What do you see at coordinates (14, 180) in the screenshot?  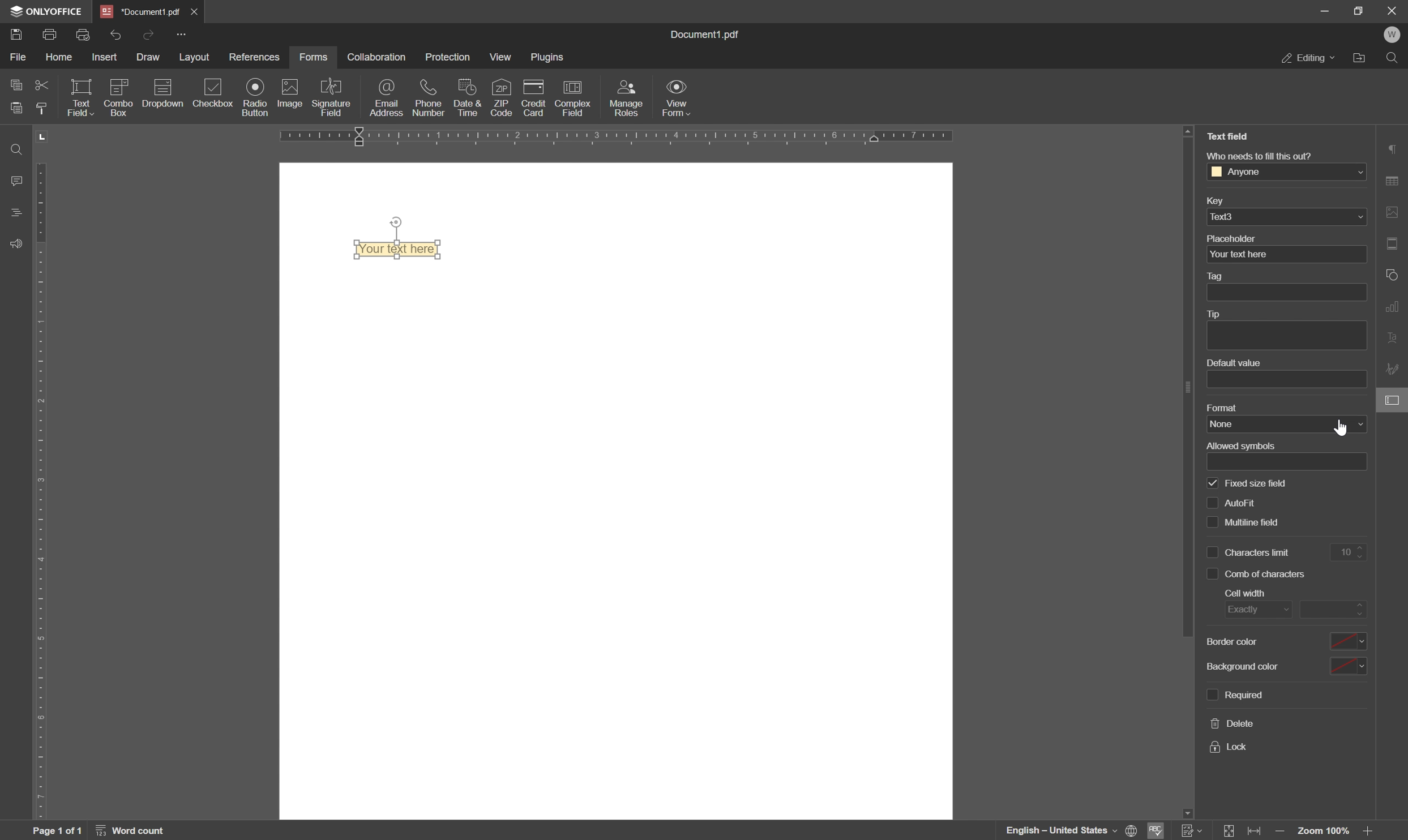 I see `comments` at bounding box center [14, 180].